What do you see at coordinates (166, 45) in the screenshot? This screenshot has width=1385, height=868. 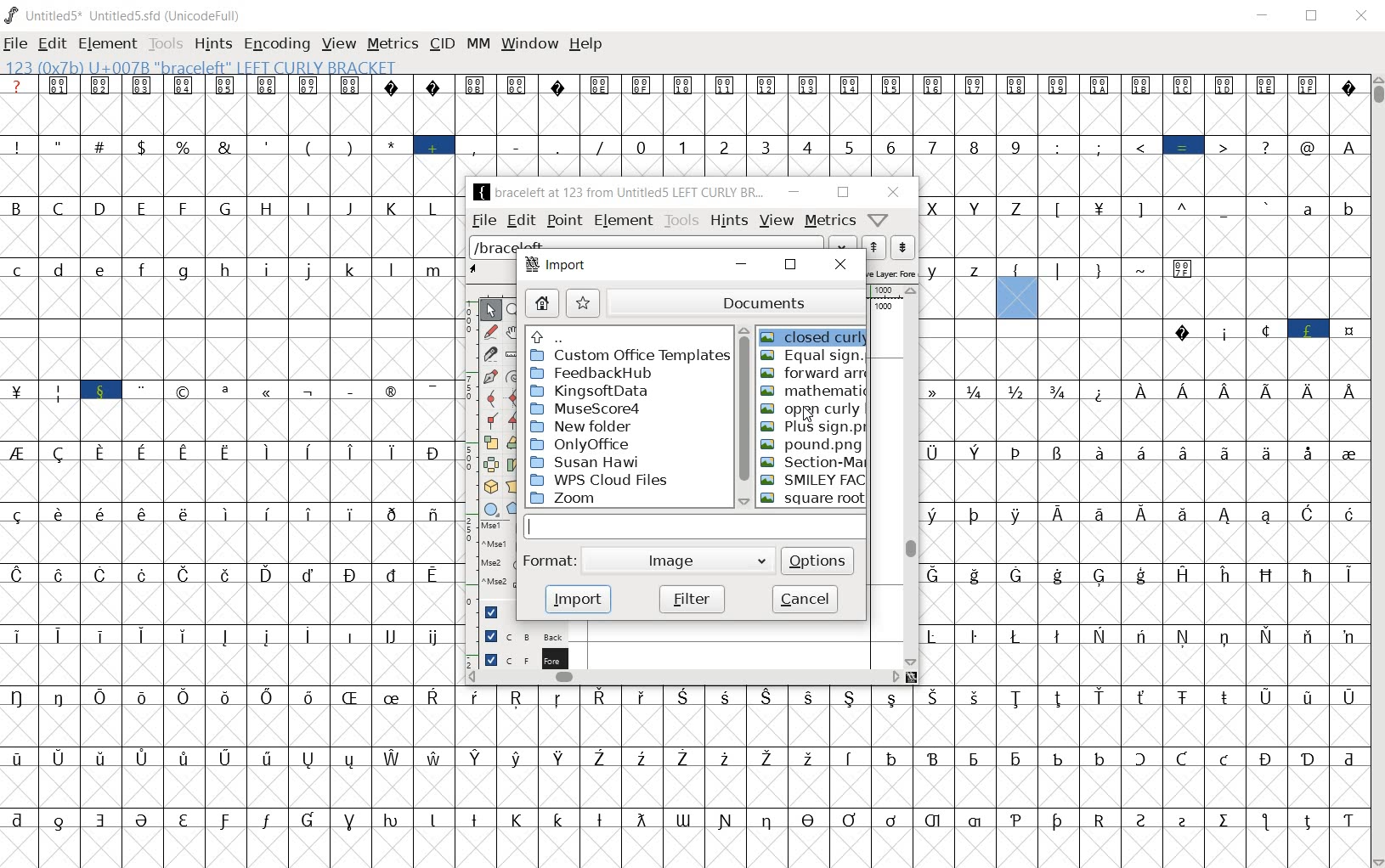 I see `tools` at bounding box center [166, 45].